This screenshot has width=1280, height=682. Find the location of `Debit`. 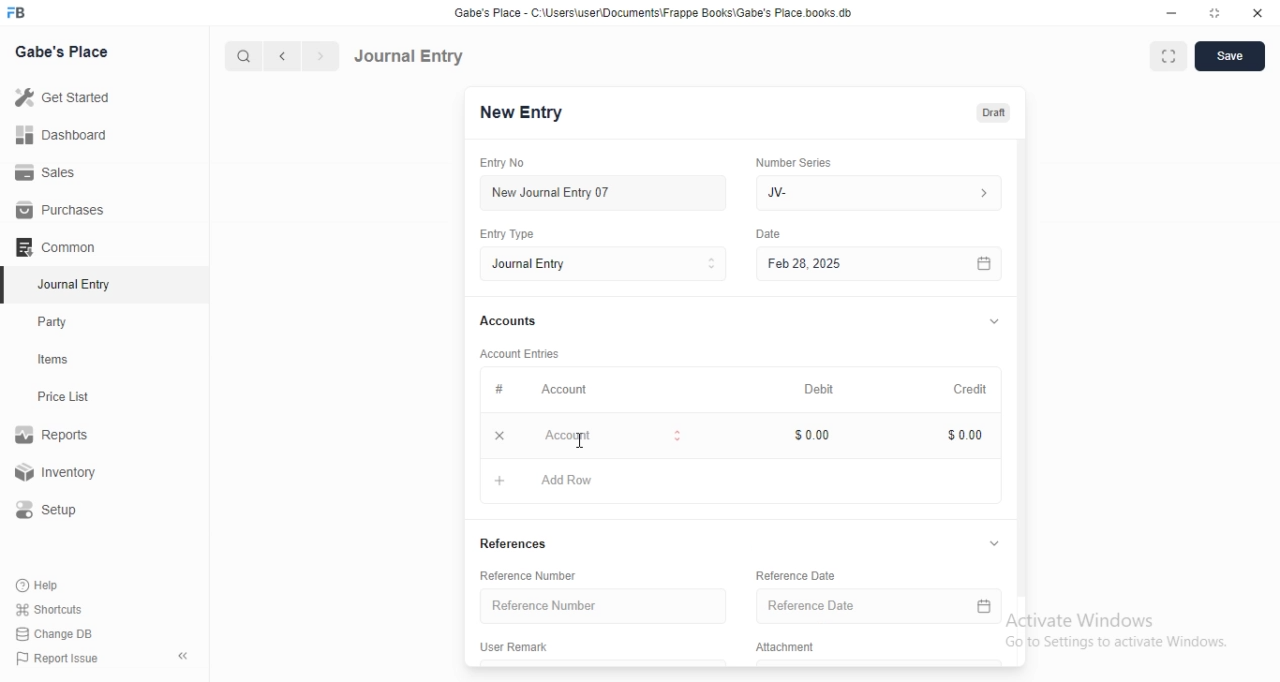

Debit is located at coordinates (815, 387).